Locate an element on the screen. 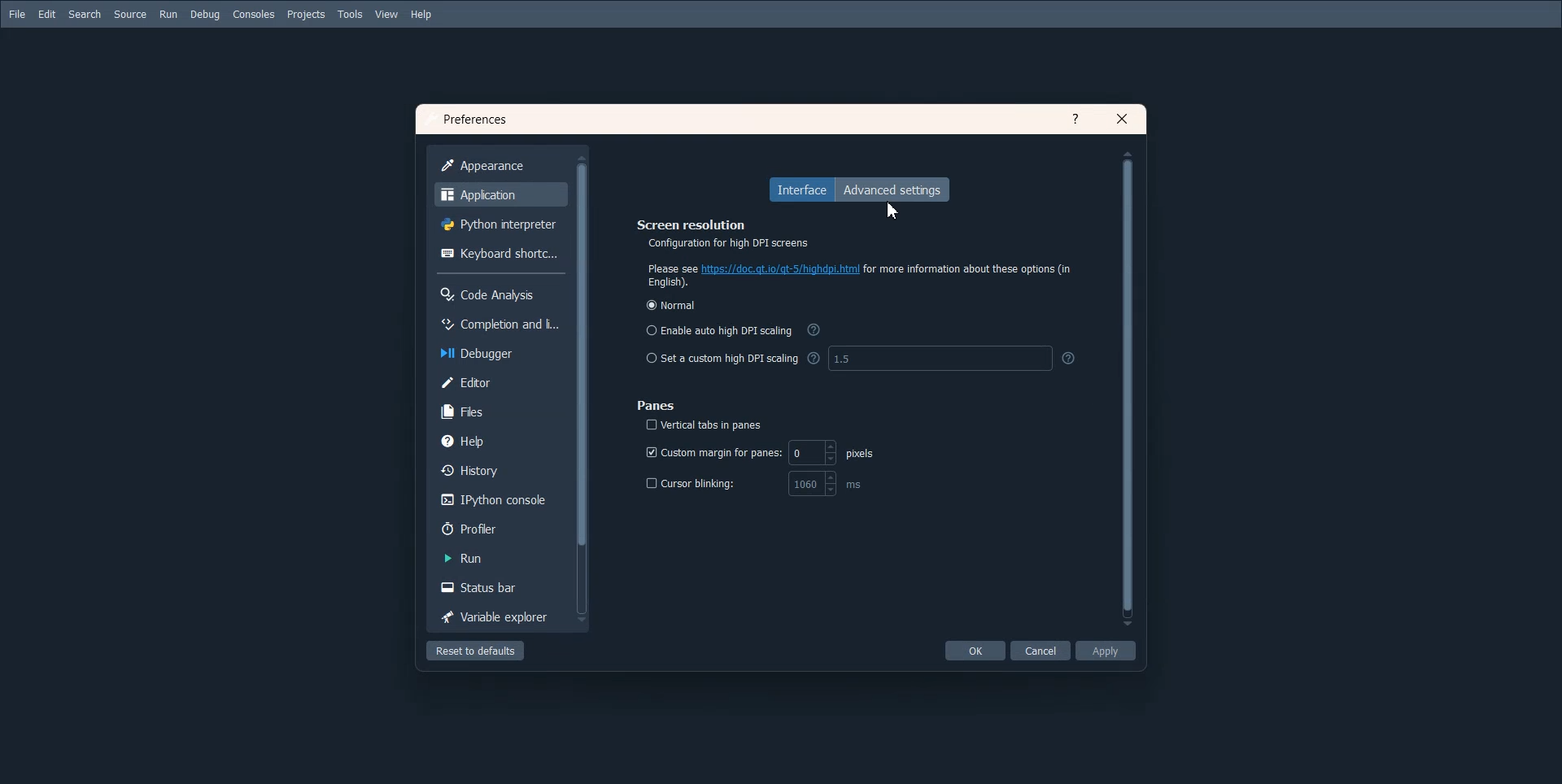 The image size is (1562, 784). Python interpreter is located at coordinates (499, 224).